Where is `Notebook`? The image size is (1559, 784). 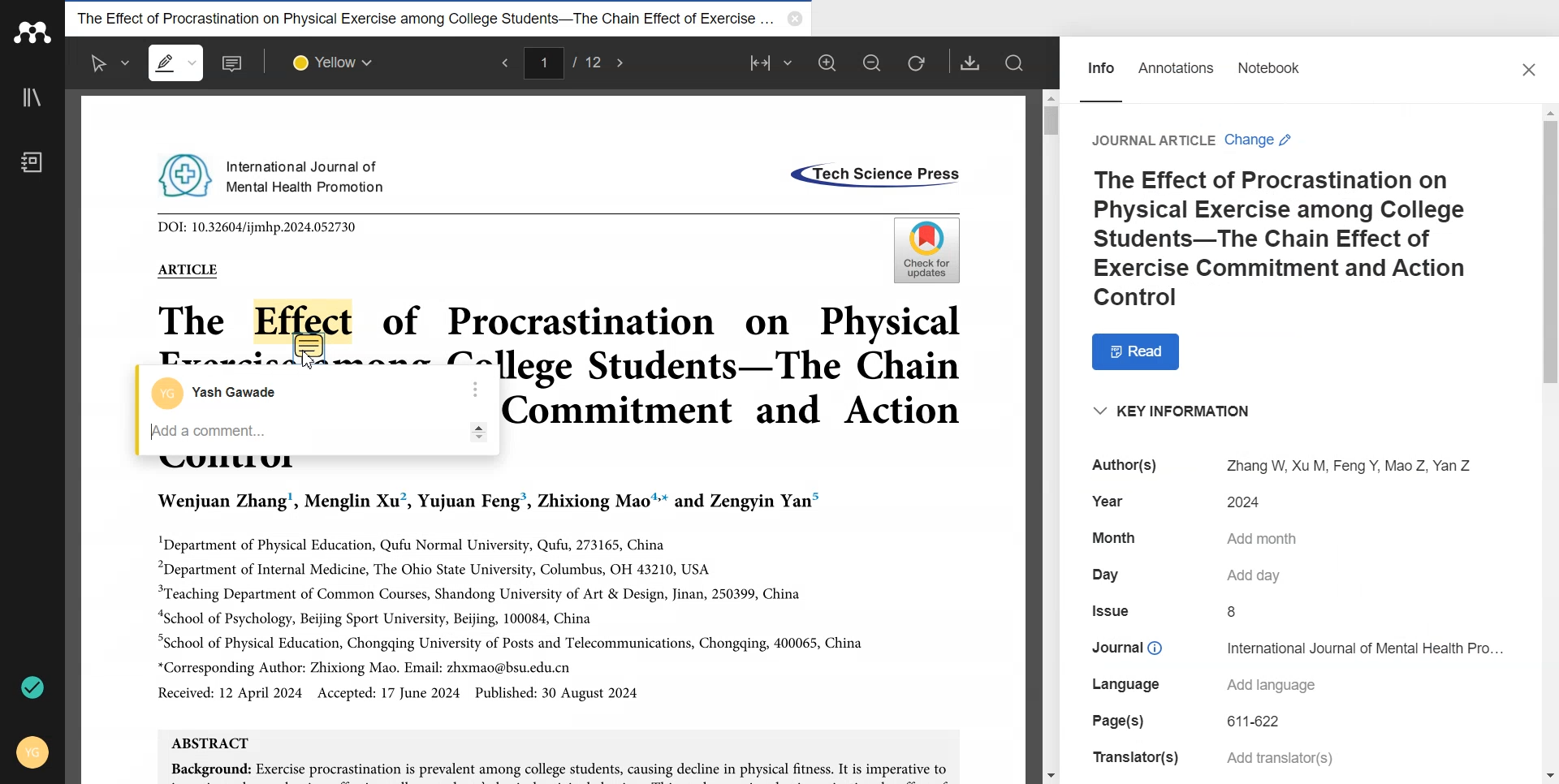
Notebook is located at coordinates (1272, 71).